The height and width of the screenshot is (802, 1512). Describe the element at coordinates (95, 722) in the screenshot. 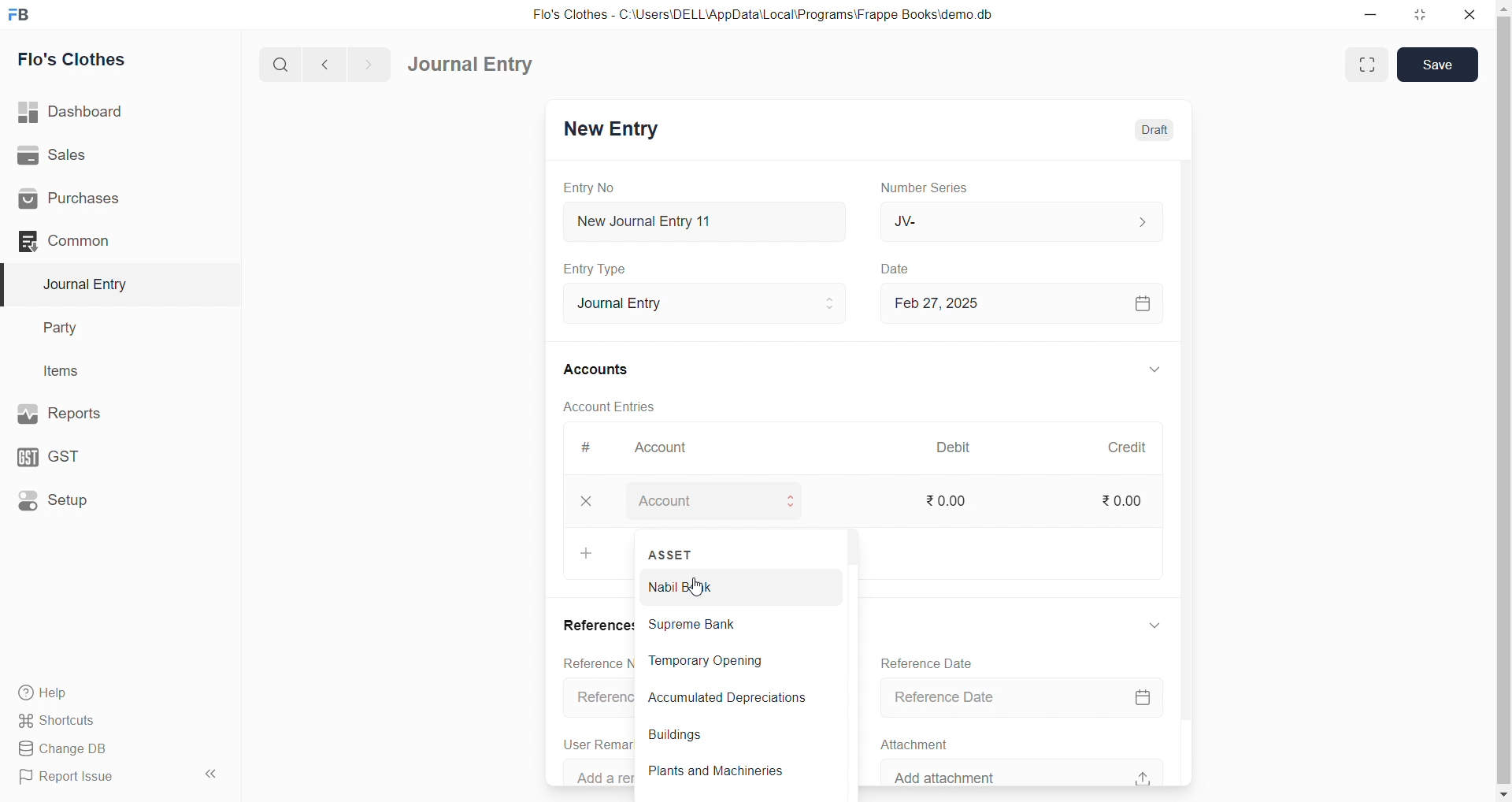

I see `Shortcuts` at that location.